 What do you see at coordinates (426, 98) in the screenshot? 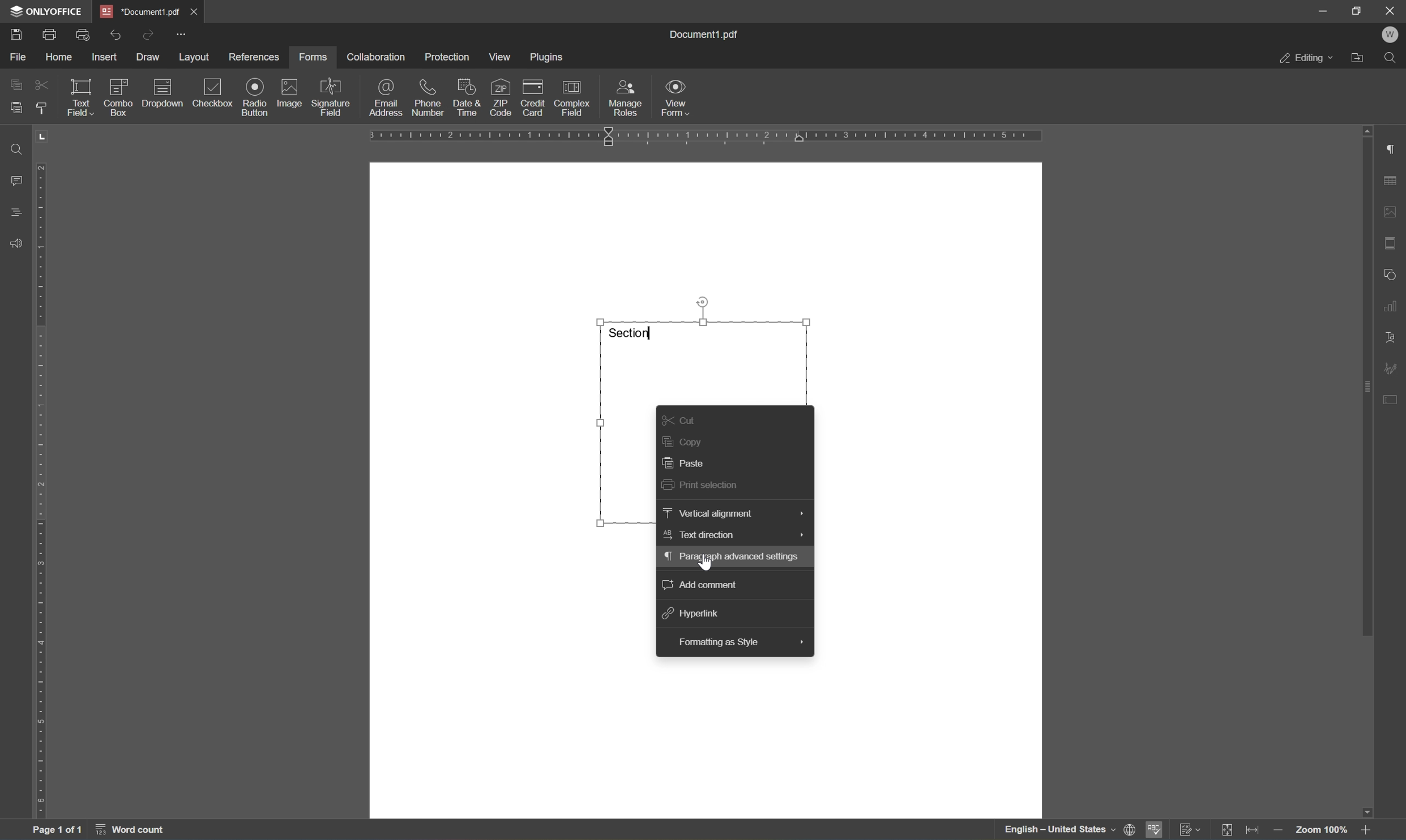
I see `phone number` at bounding box center [426, 98].